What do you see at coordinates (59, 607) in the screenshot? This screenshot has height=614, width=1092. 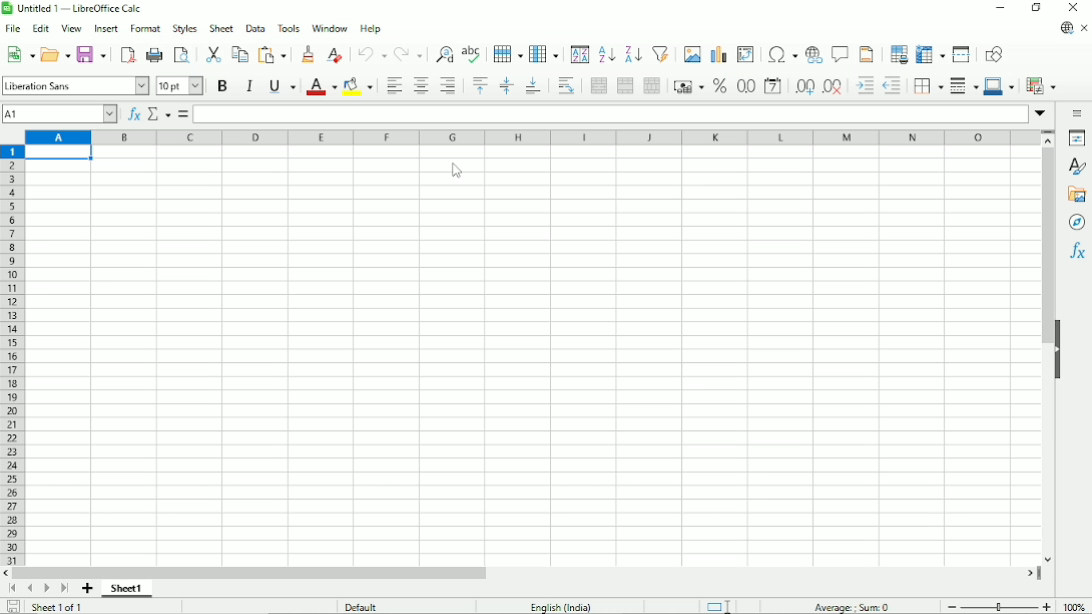 I see `Sheet 1 of 1` at bounding box center [59, 607].